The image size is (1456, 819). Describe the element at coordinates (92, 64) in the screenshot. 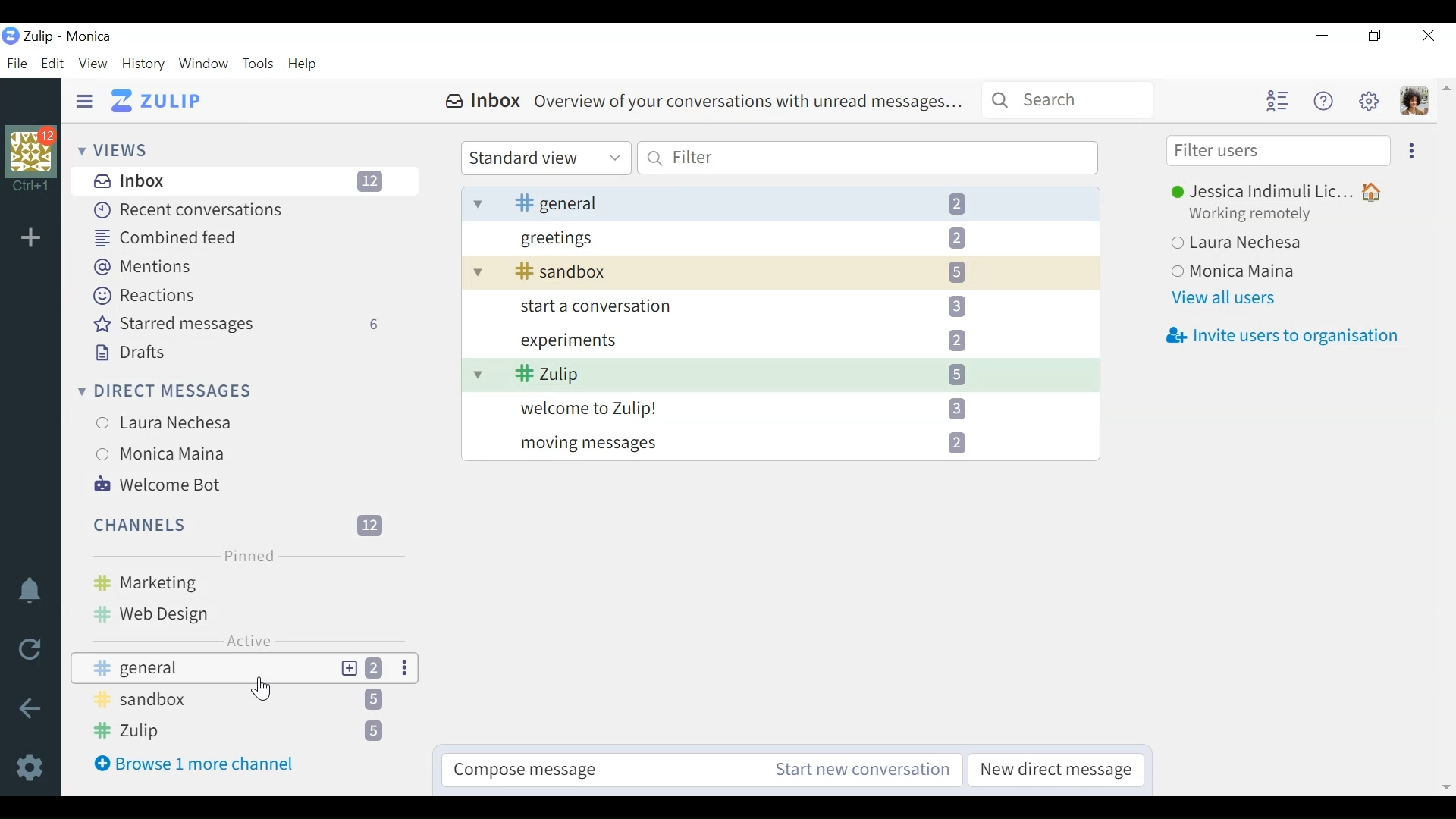

I see `View` at that location.